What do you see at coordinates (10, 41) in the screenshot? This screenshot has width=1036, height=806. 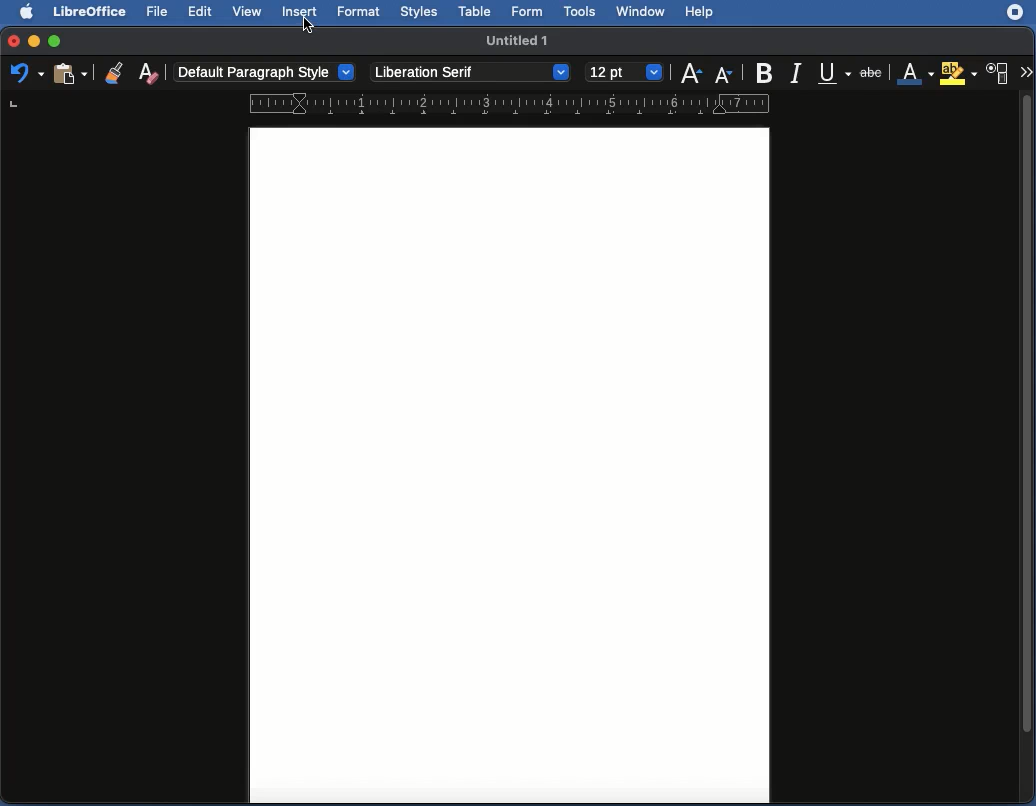 I see `Close` at bounding box center [10, 41].